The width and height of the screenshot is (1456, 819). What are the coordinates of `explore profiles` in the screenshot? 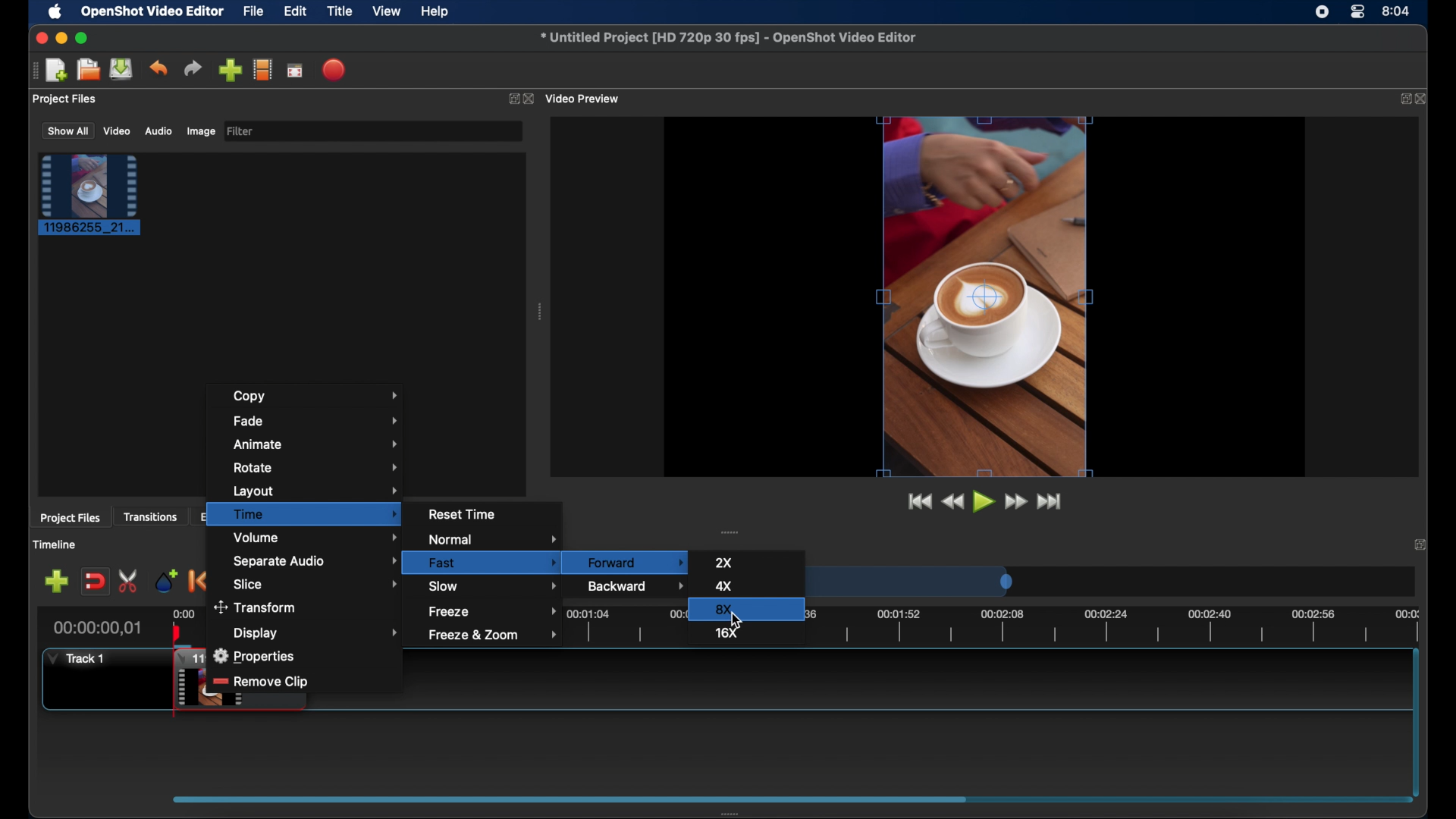 It's located at (262, 71).